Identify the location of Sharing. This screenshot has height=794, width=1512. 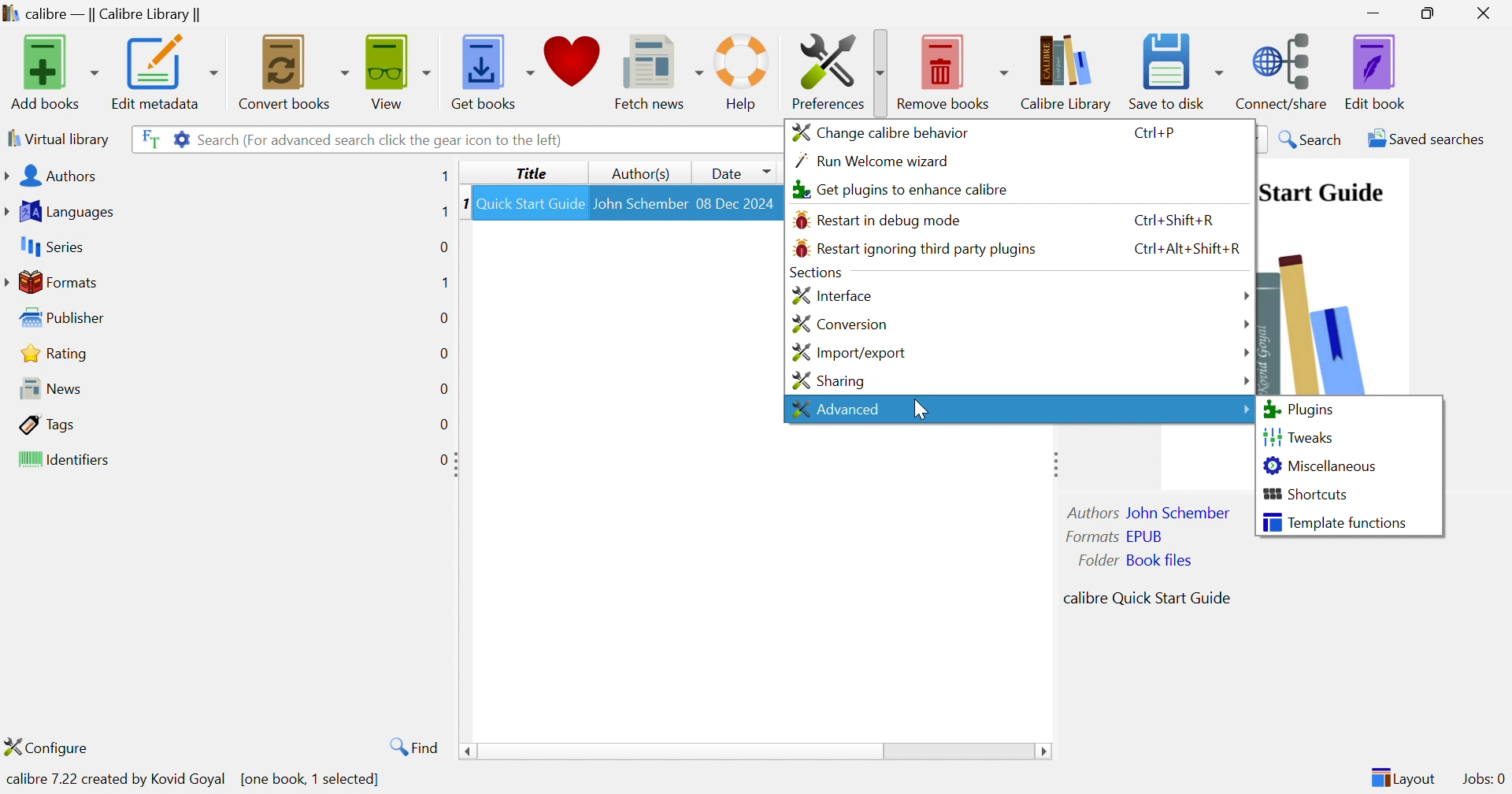
(827, 381).